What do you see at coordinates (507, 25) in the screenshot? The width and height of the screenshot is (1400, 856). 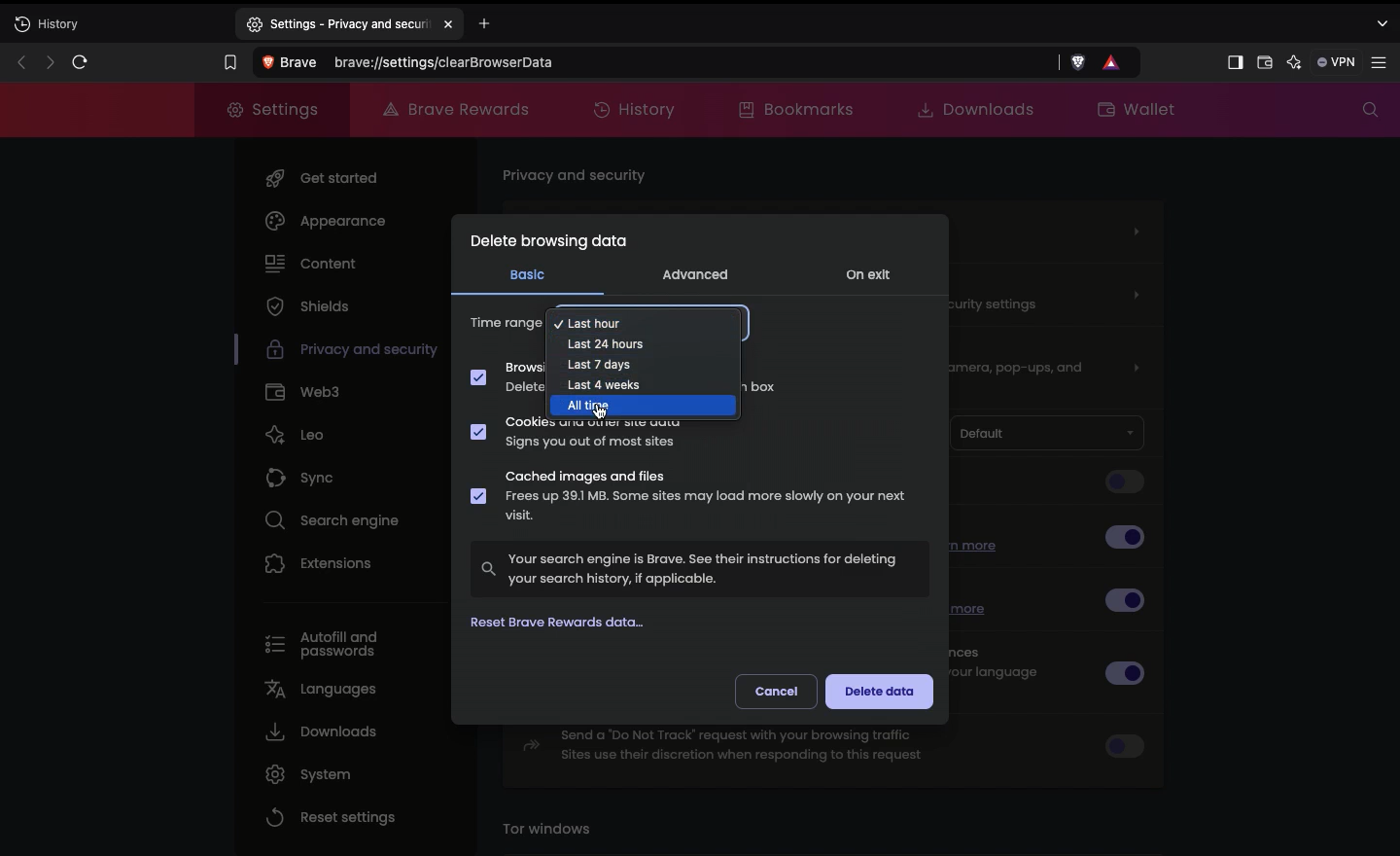 I see `Add new tab` at bounding box center [507, 25].